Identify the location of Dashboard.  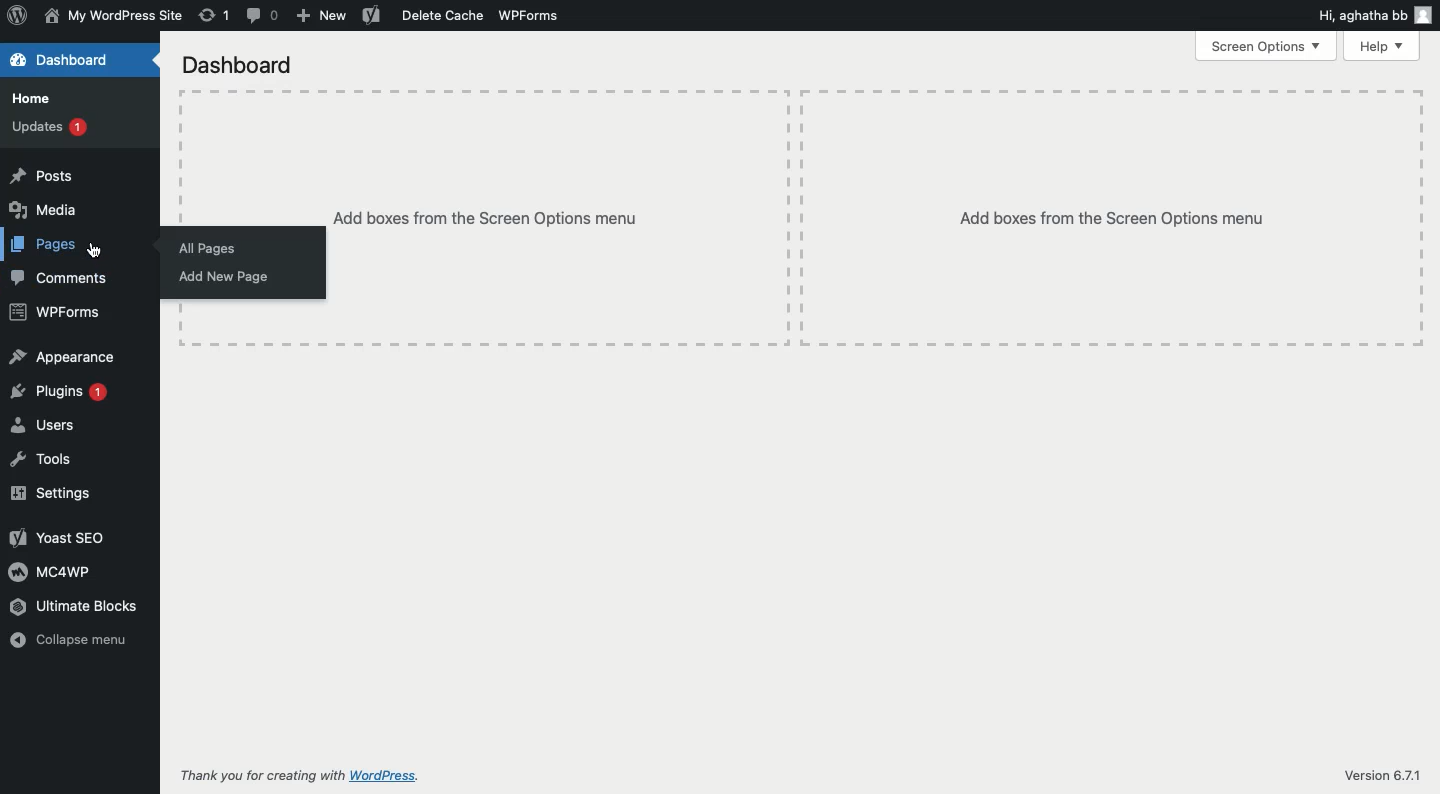
(59, 59).